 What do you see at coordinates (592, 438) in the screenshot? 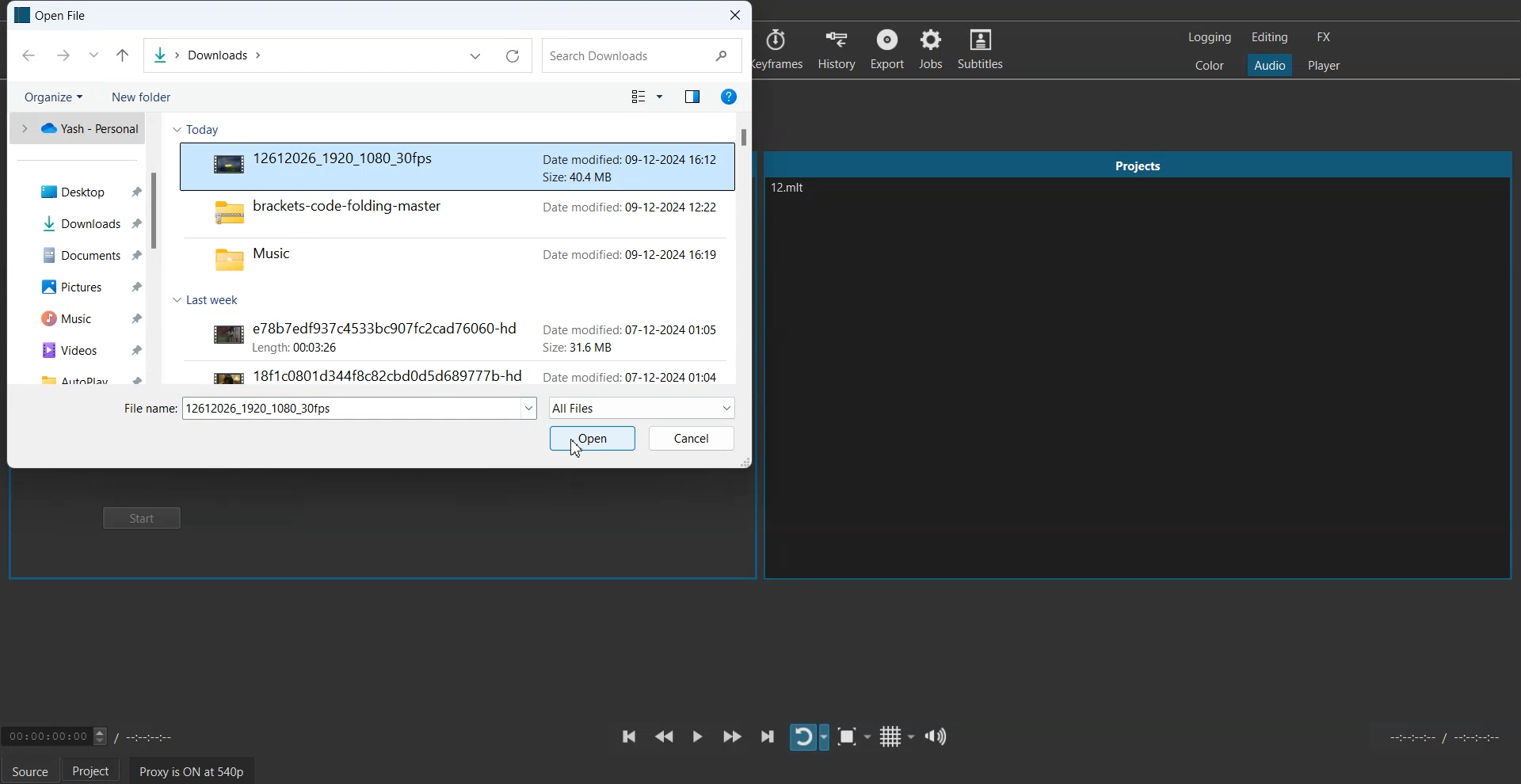
I see `Open` at bounding box center [592, 438].